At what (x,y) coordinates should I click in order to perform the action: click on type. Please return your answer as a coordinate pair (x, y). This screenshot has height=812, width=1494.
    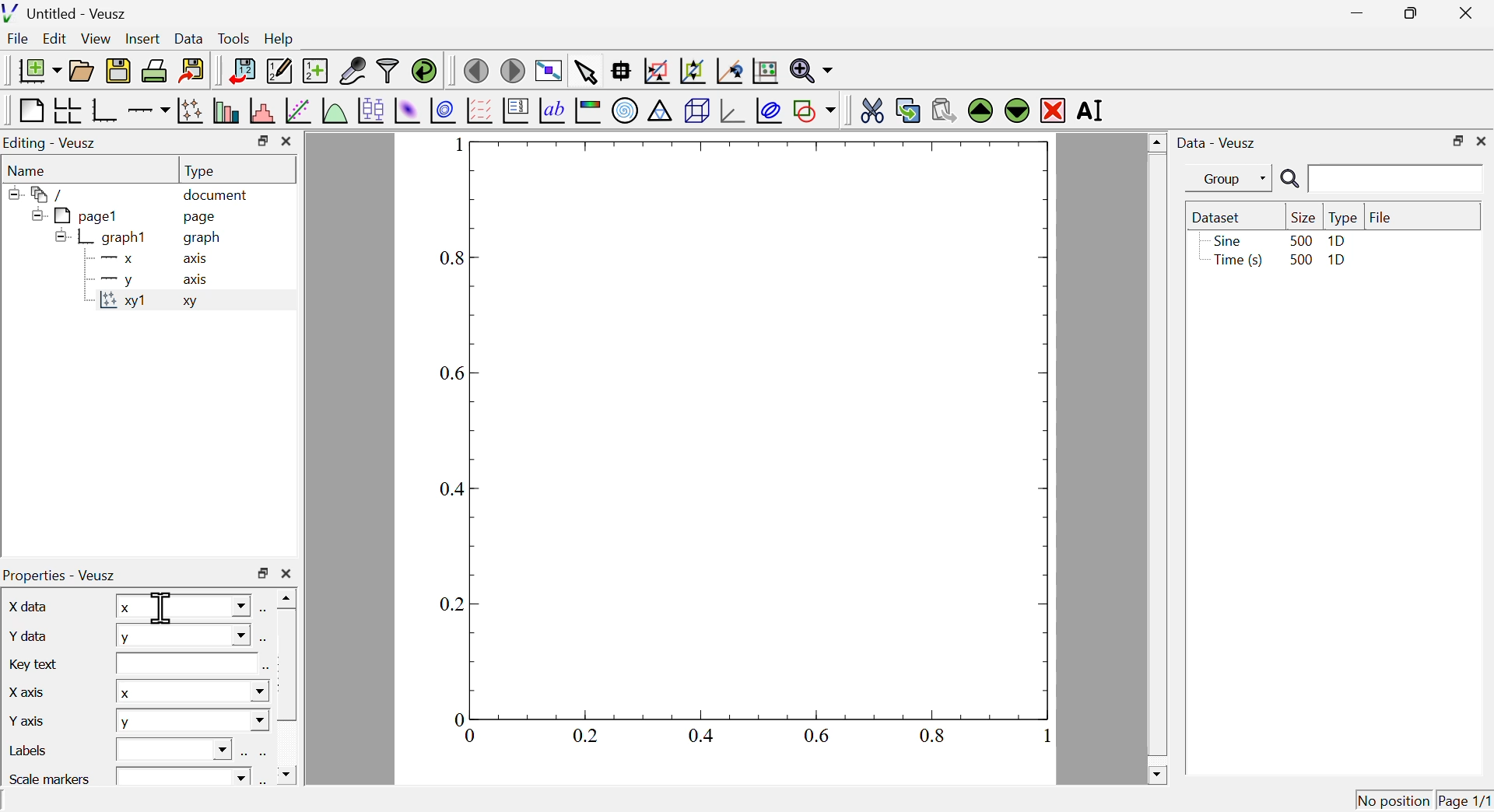
    Looking at the image, I should click on (202, 170).